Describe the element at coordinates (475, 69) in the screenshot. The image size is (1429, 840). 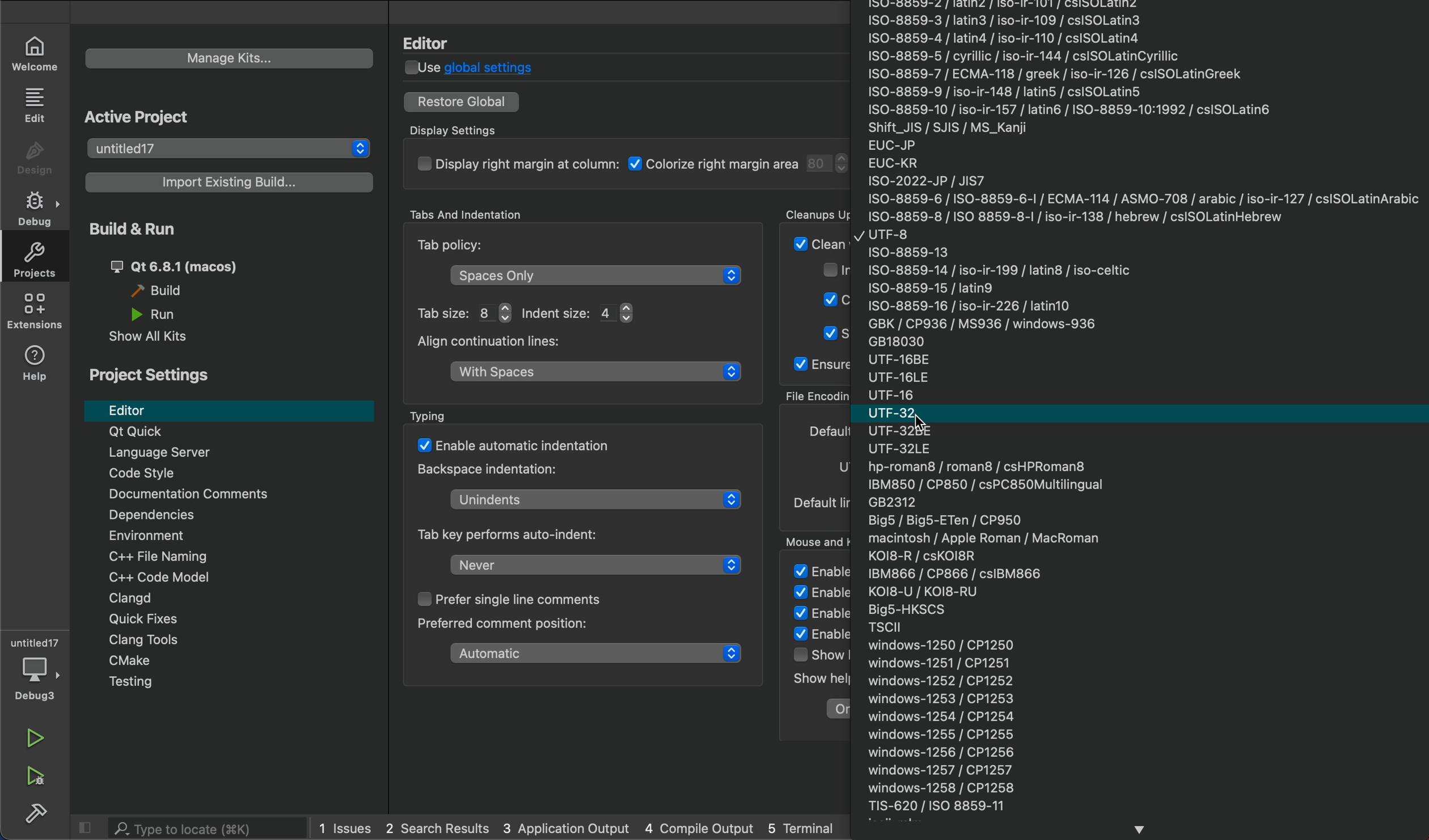
I see `global settings` at that location.